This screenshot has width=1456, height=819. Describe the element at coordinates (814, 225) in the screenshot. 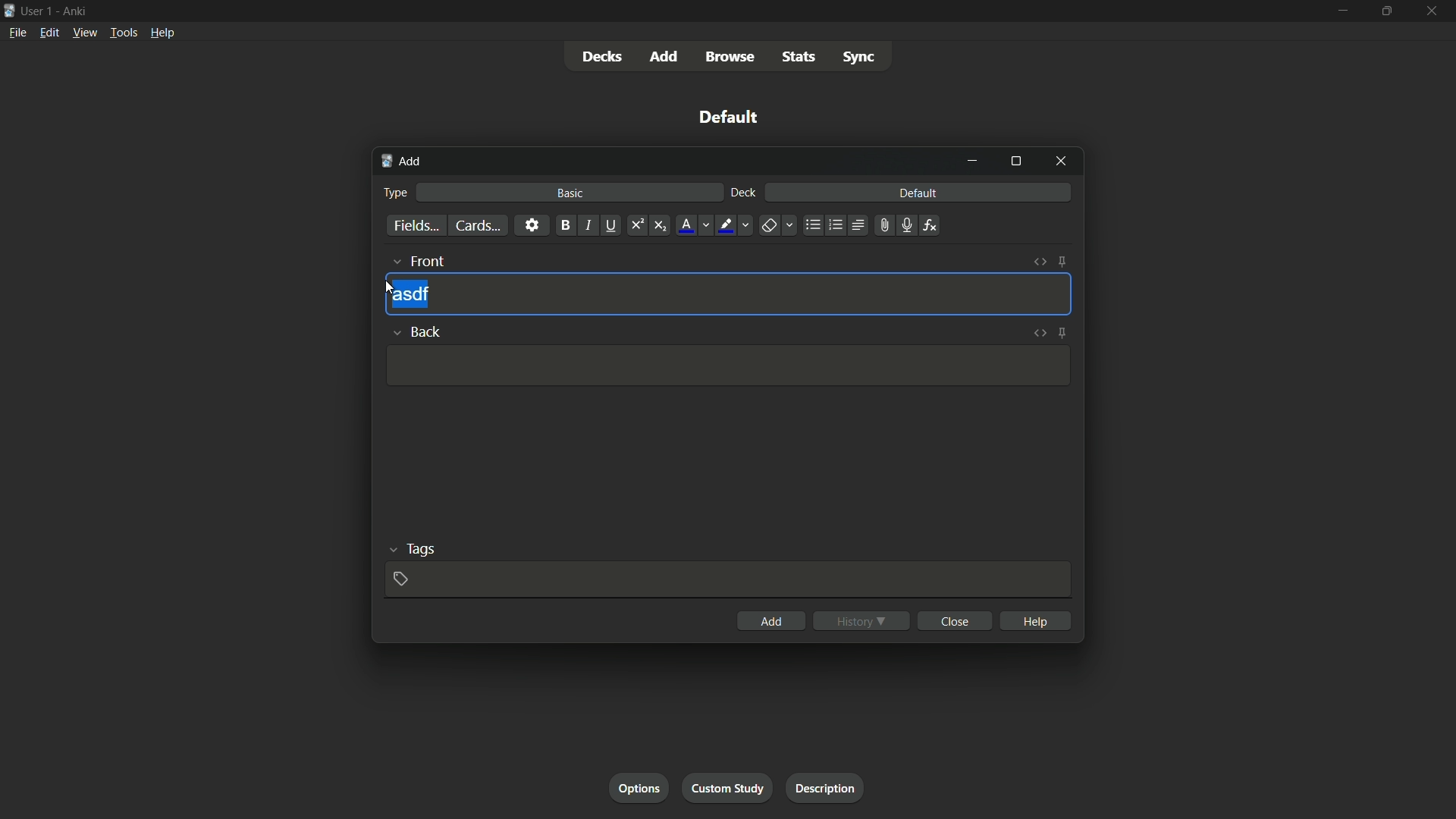

I see `unordered list` at that location.